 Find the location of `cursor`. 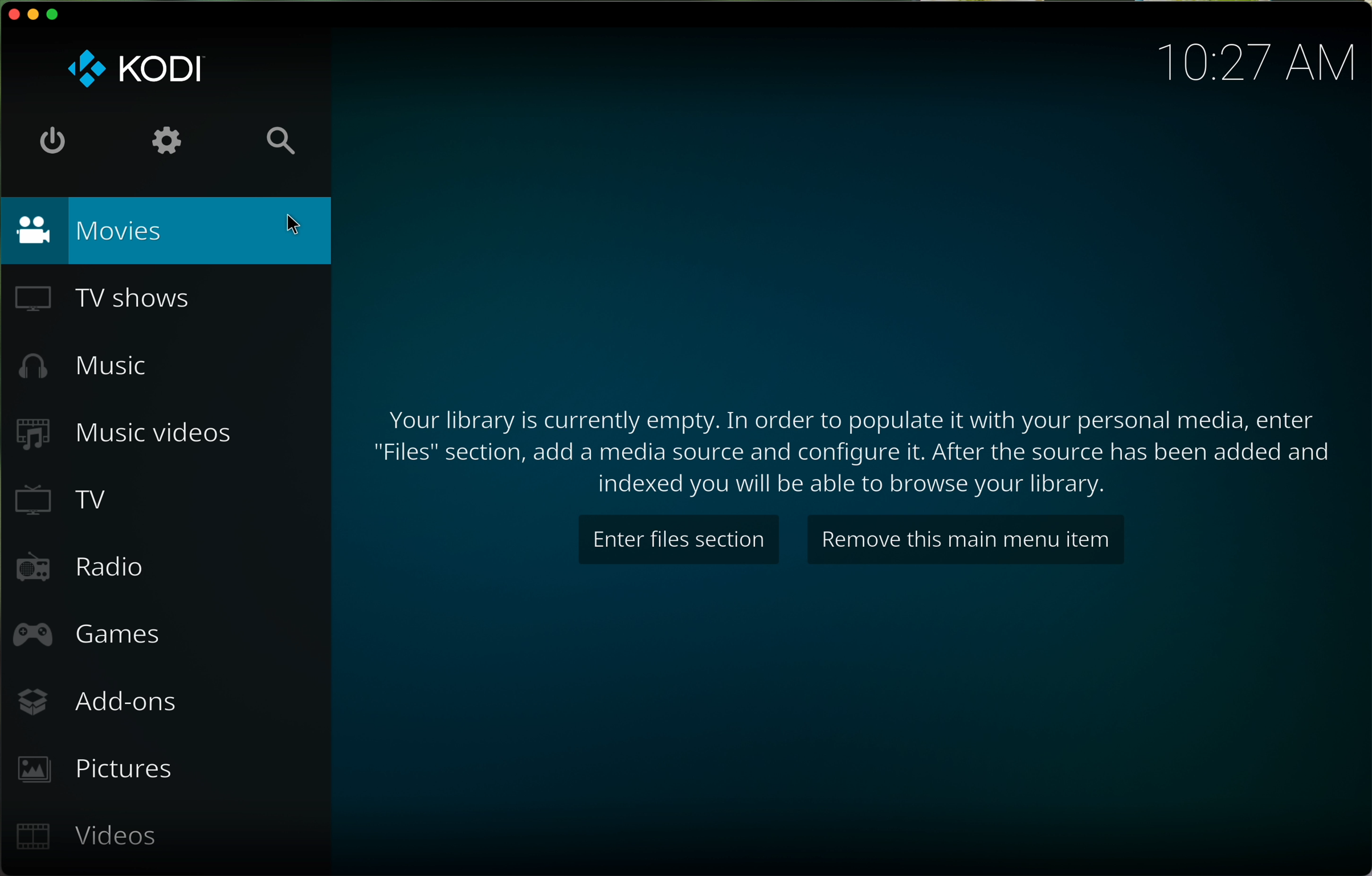

cursor is located at coordinates (293, 225).